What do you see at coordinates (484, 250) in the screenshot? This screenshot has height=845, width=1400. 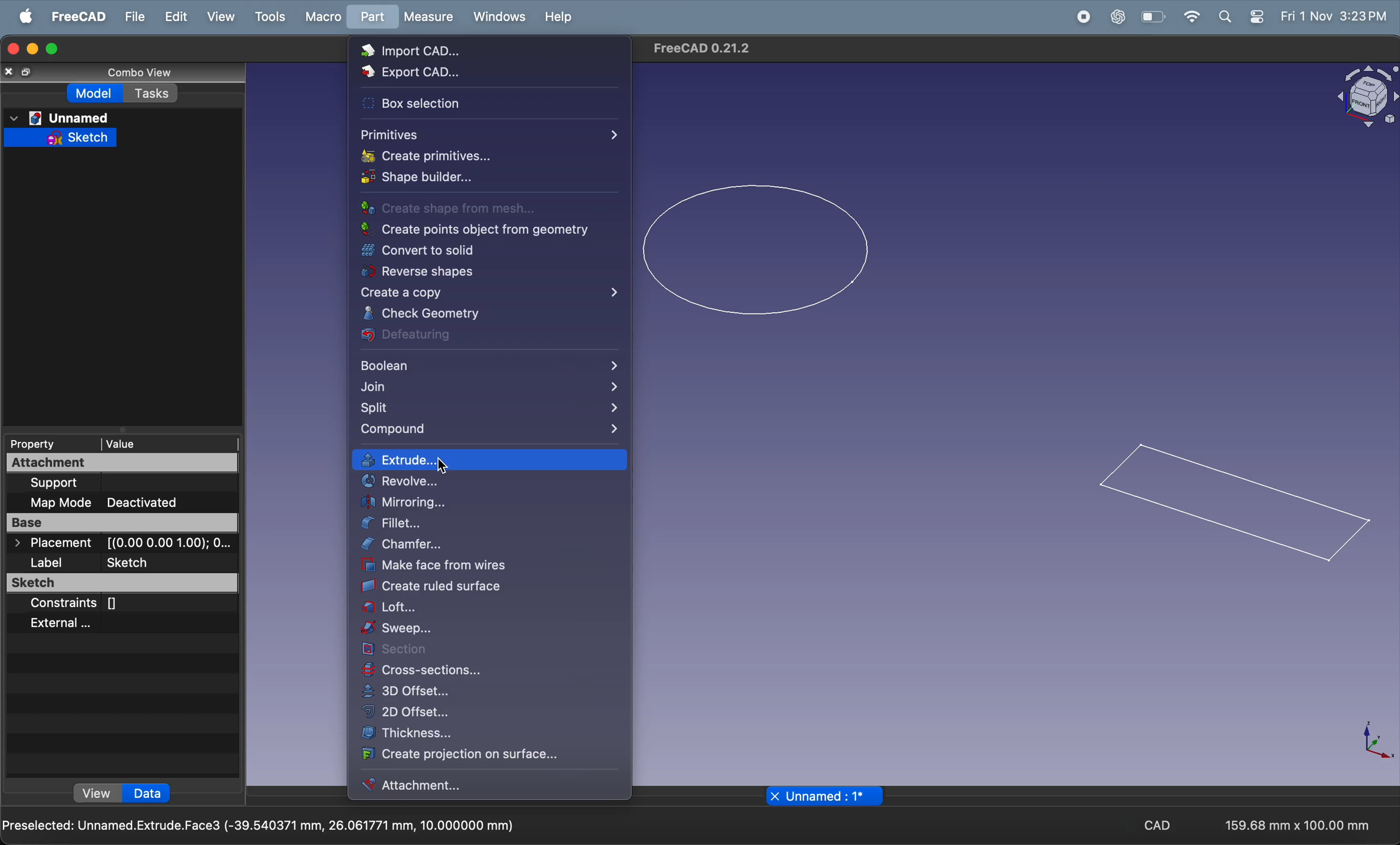 I see `Convert into solid` at bounding box center [484, 250].